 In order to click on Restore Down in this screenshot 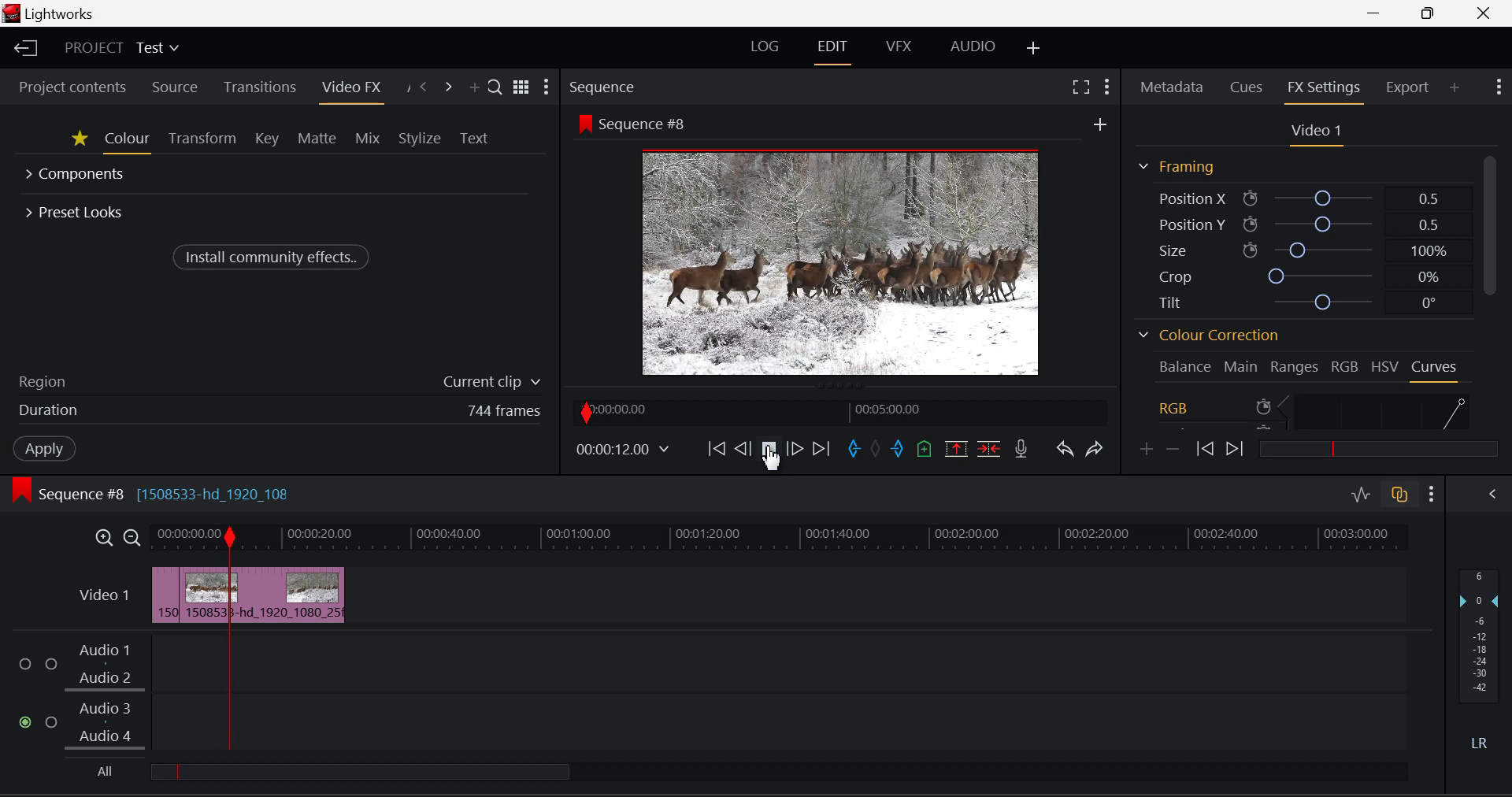, I will do `click(1376, 13)`.